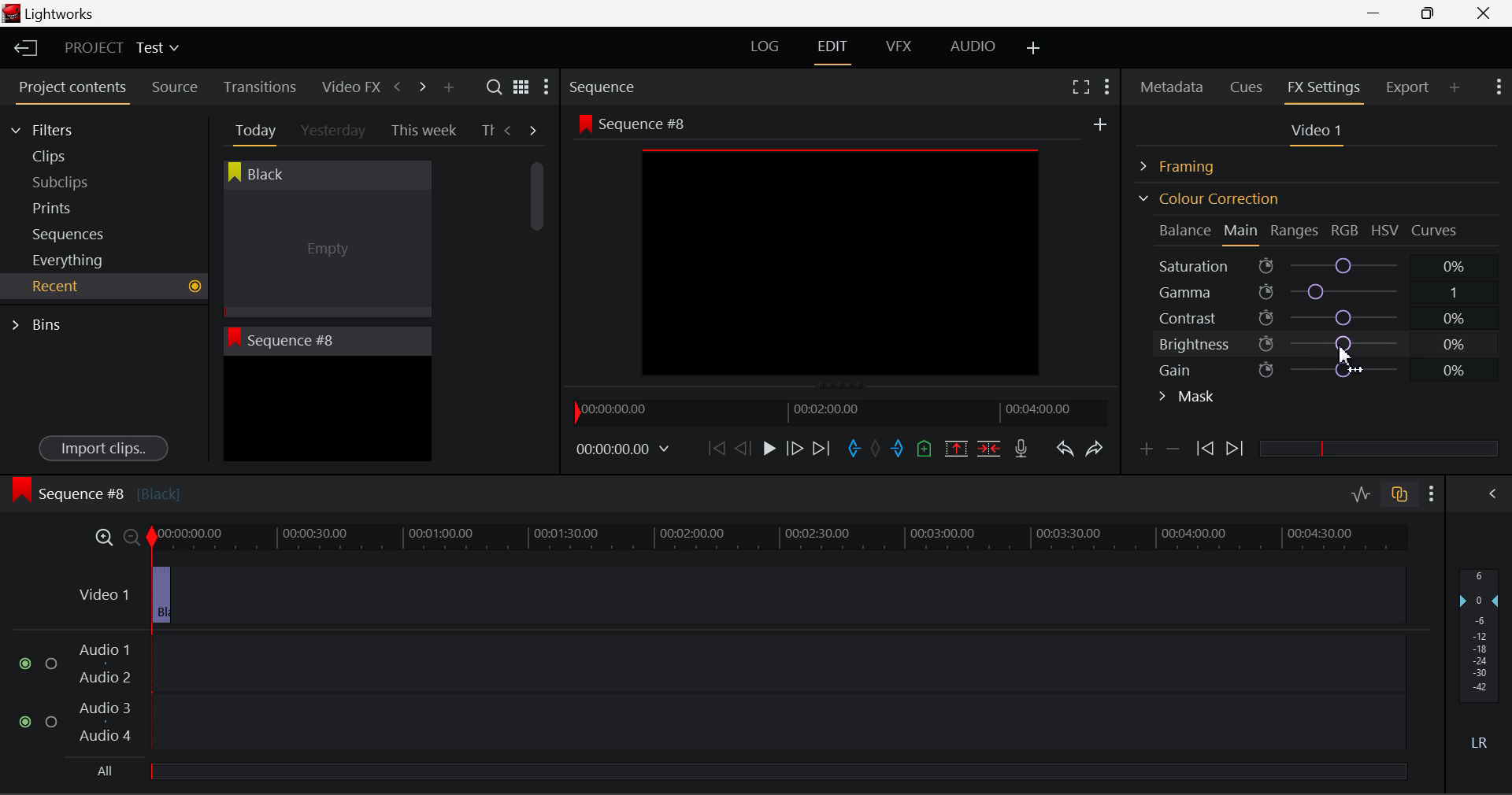 The image size is (1512, 795). Describe the element at coordinates (422, 131) in the screenshot. I see `This week Tab` at that location.